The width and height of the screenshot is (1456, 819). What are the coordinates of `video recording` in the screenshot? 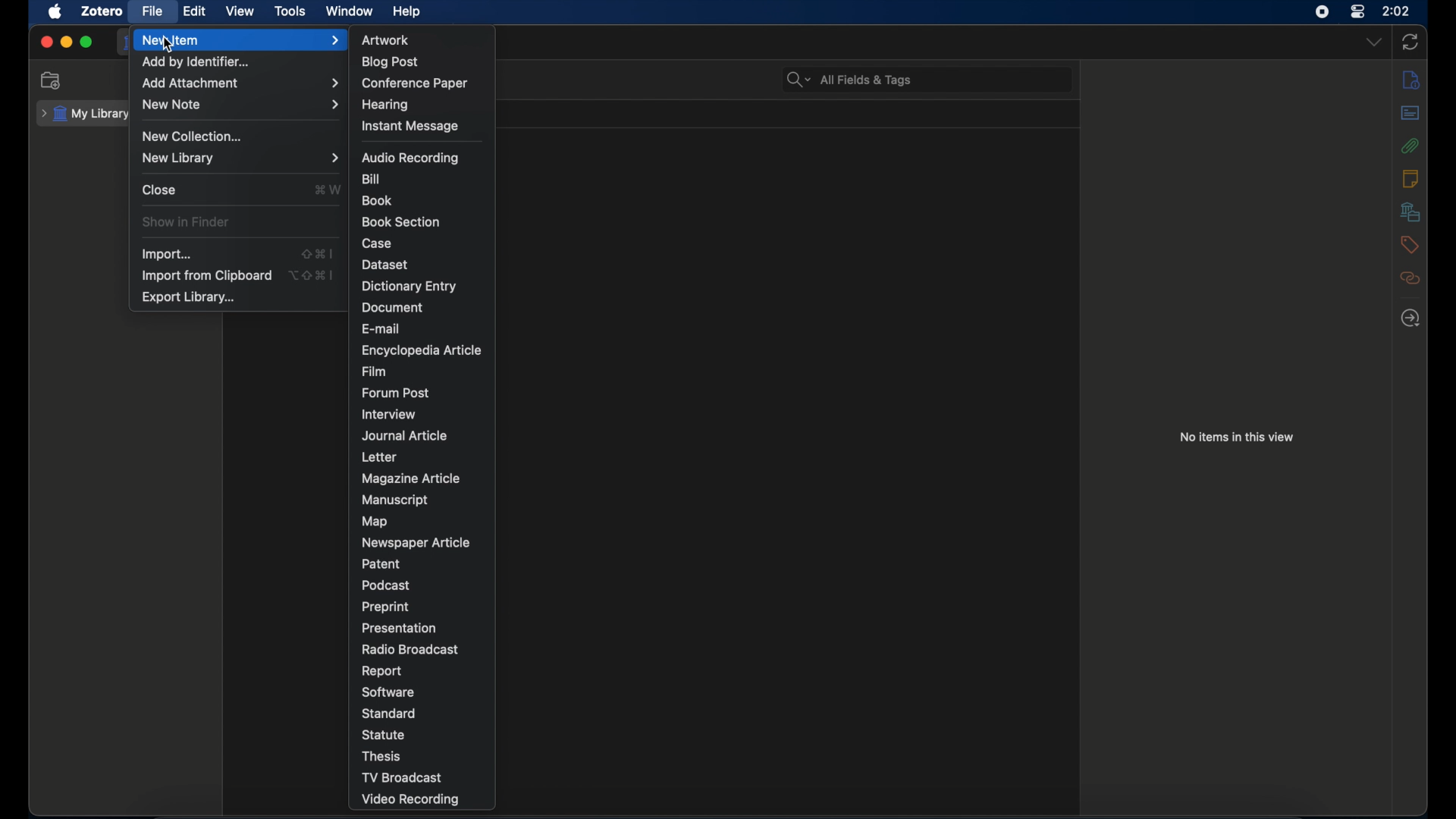 It's located at (413, 800).